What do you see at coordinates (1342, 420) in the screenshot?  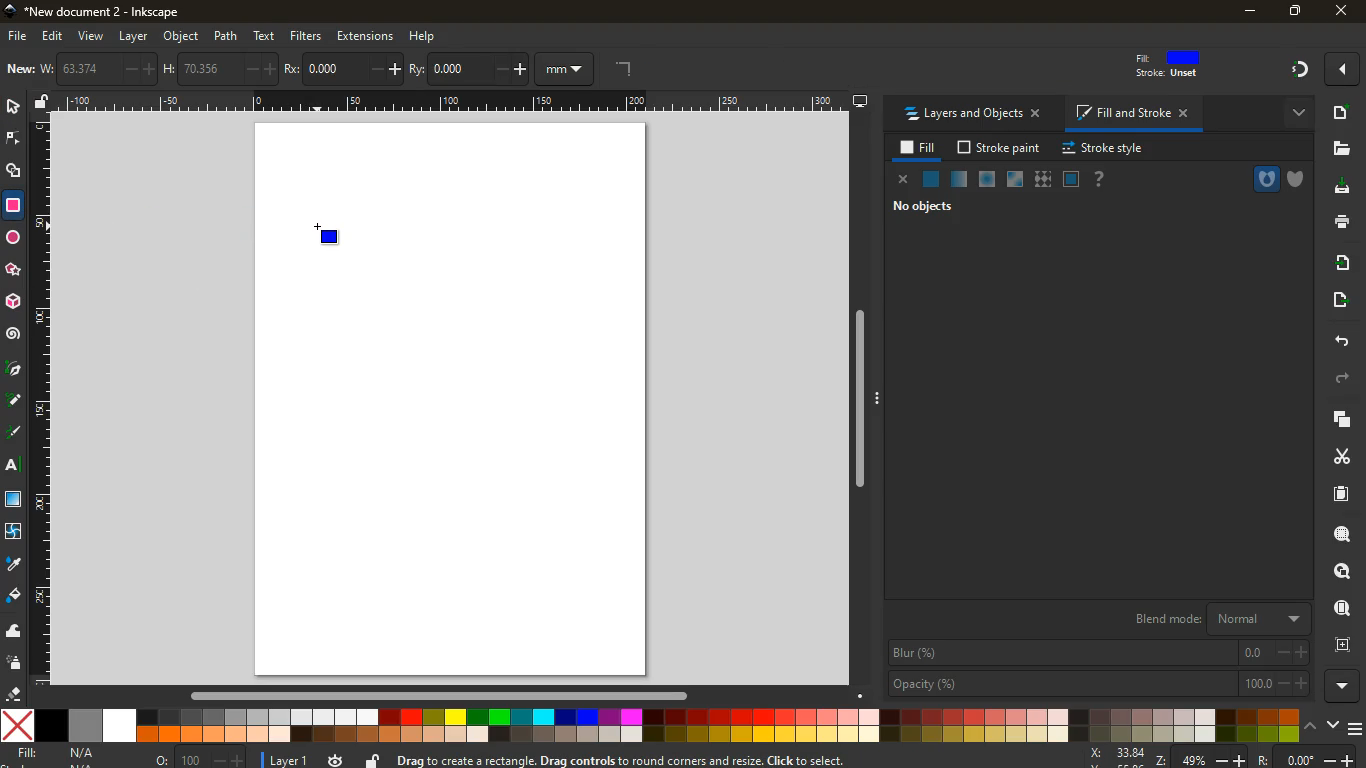 I see `layers` at bounding box center [1342, 420].